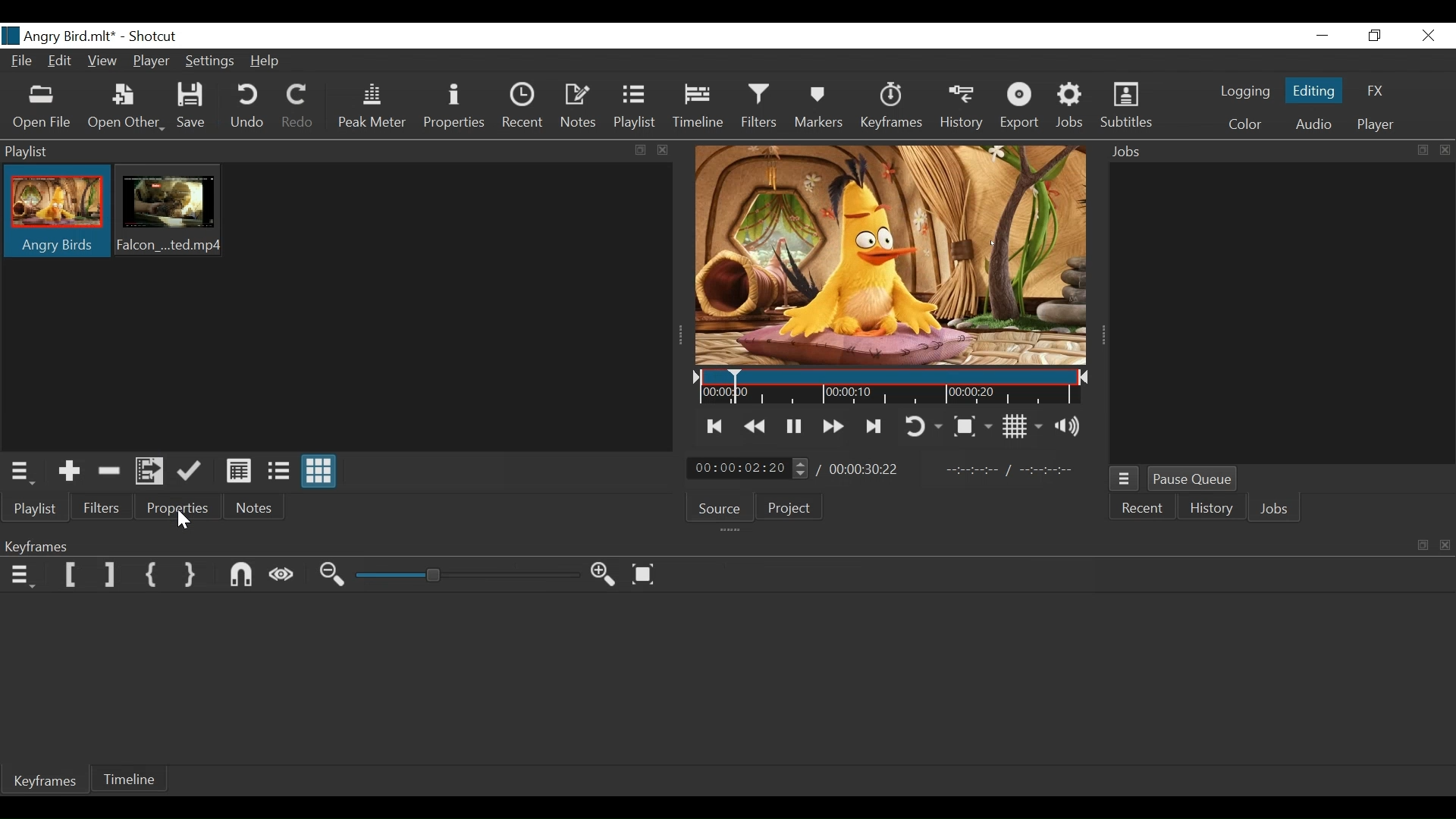  What do you see at coordinates (21, 60) in the screenshot?
I see `File` at bounding box center [21, 60].